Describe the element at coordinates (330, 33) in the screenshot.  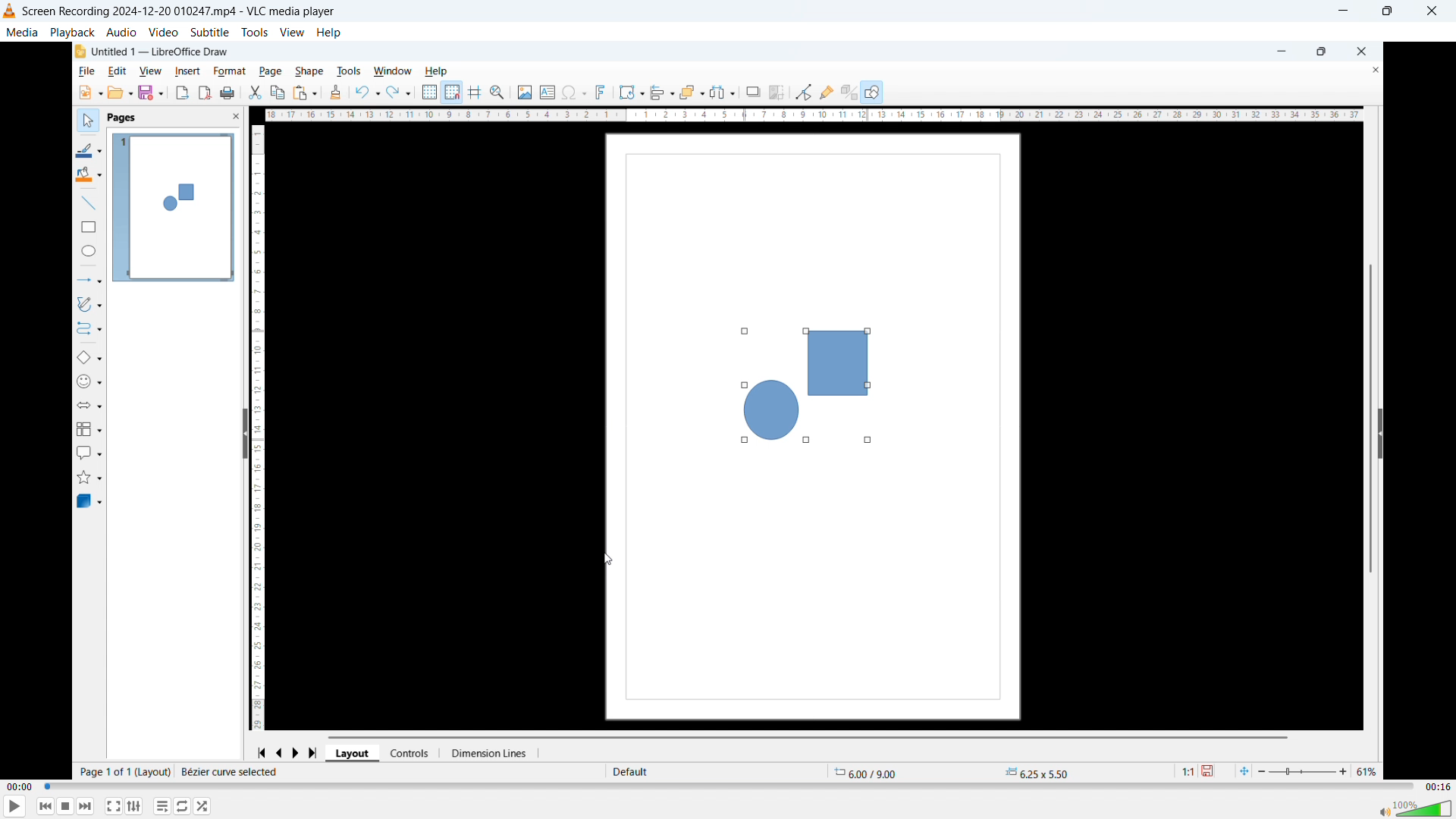
I see `help ` at that location.